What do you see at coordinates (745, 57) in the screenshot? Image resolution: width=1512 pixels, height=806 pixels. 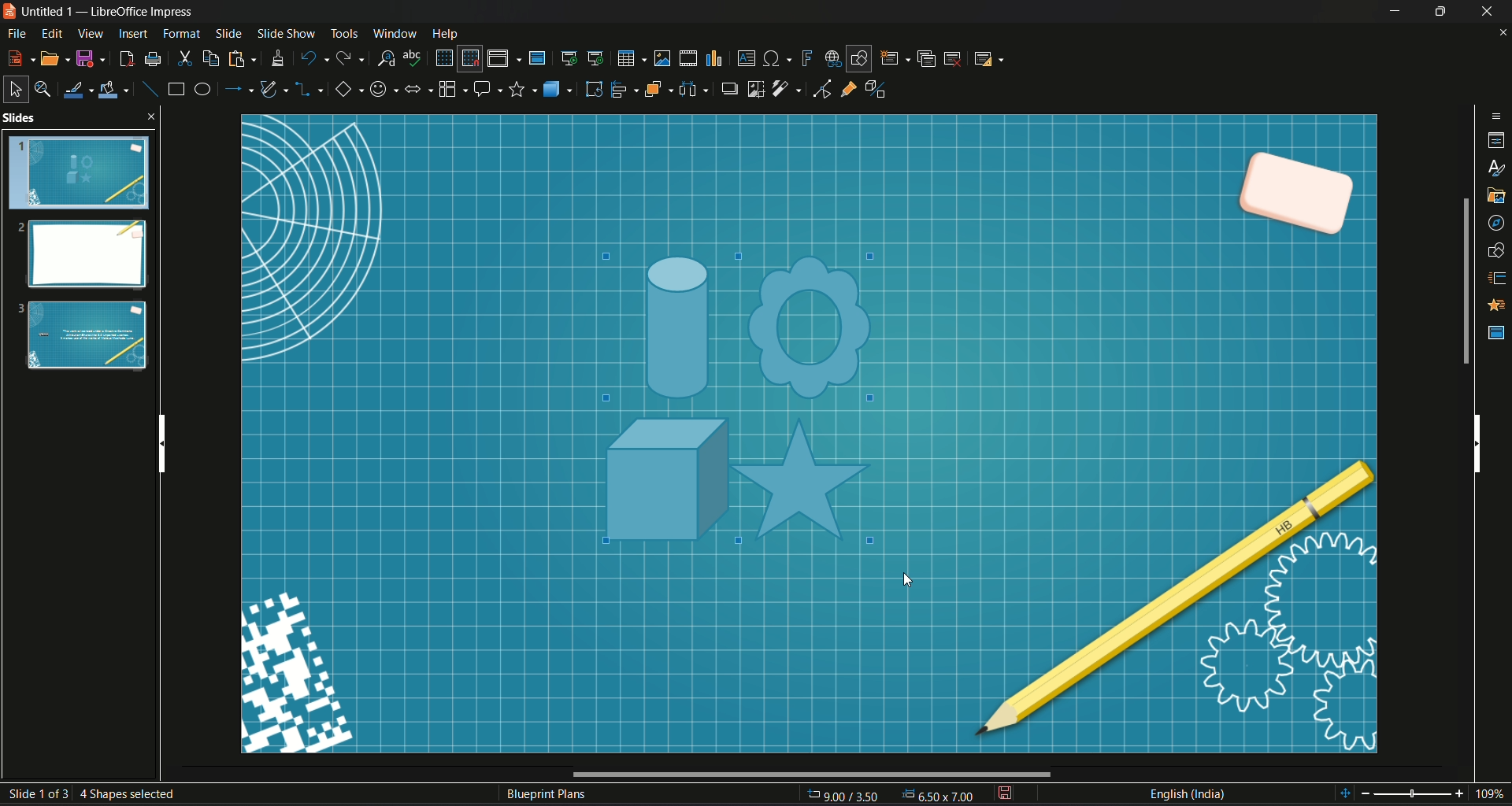 I see `insert textbox` at bounding box center [745, 57].